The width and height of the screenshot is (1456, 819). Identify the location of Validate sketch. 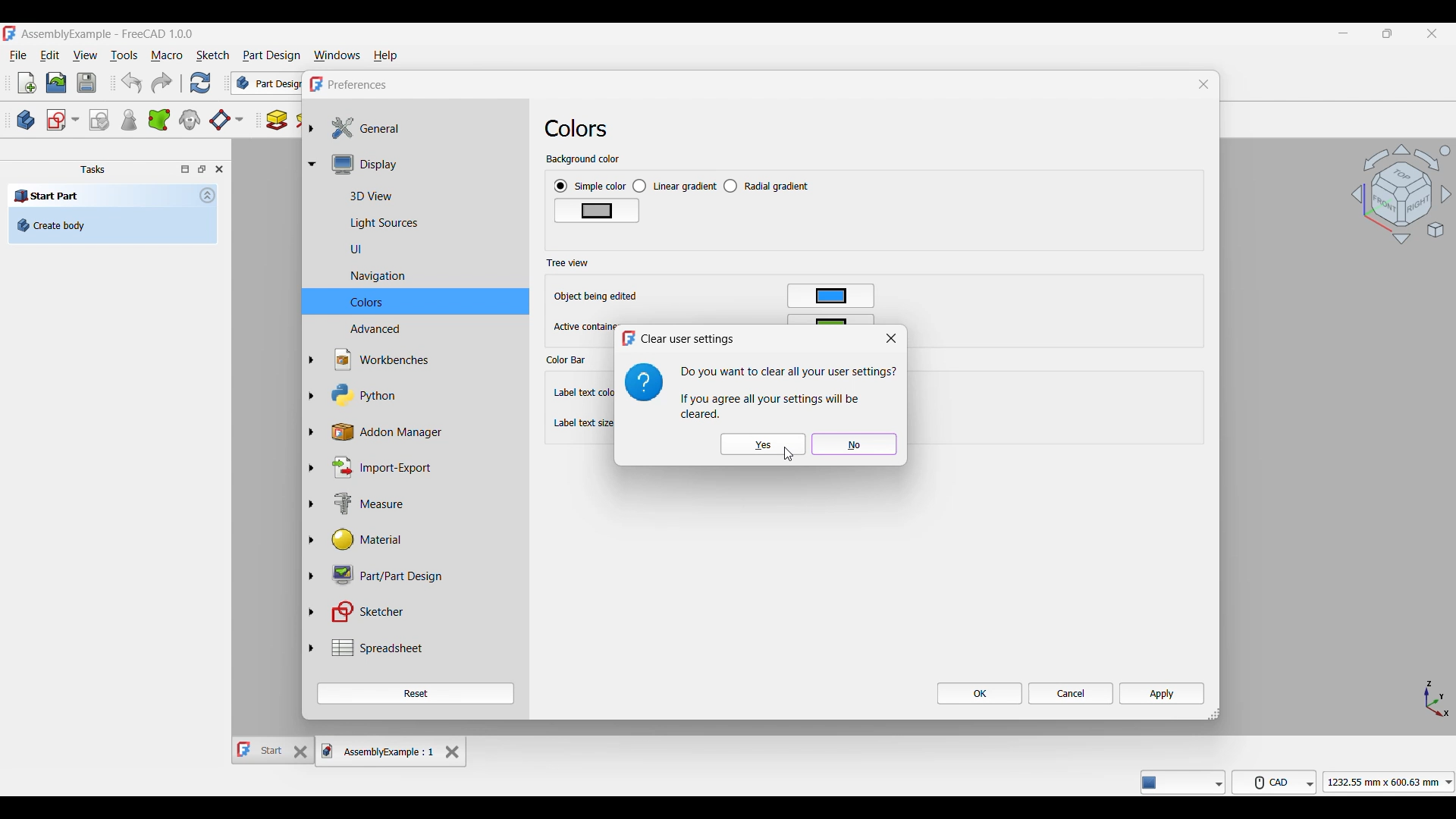
(99, 121).